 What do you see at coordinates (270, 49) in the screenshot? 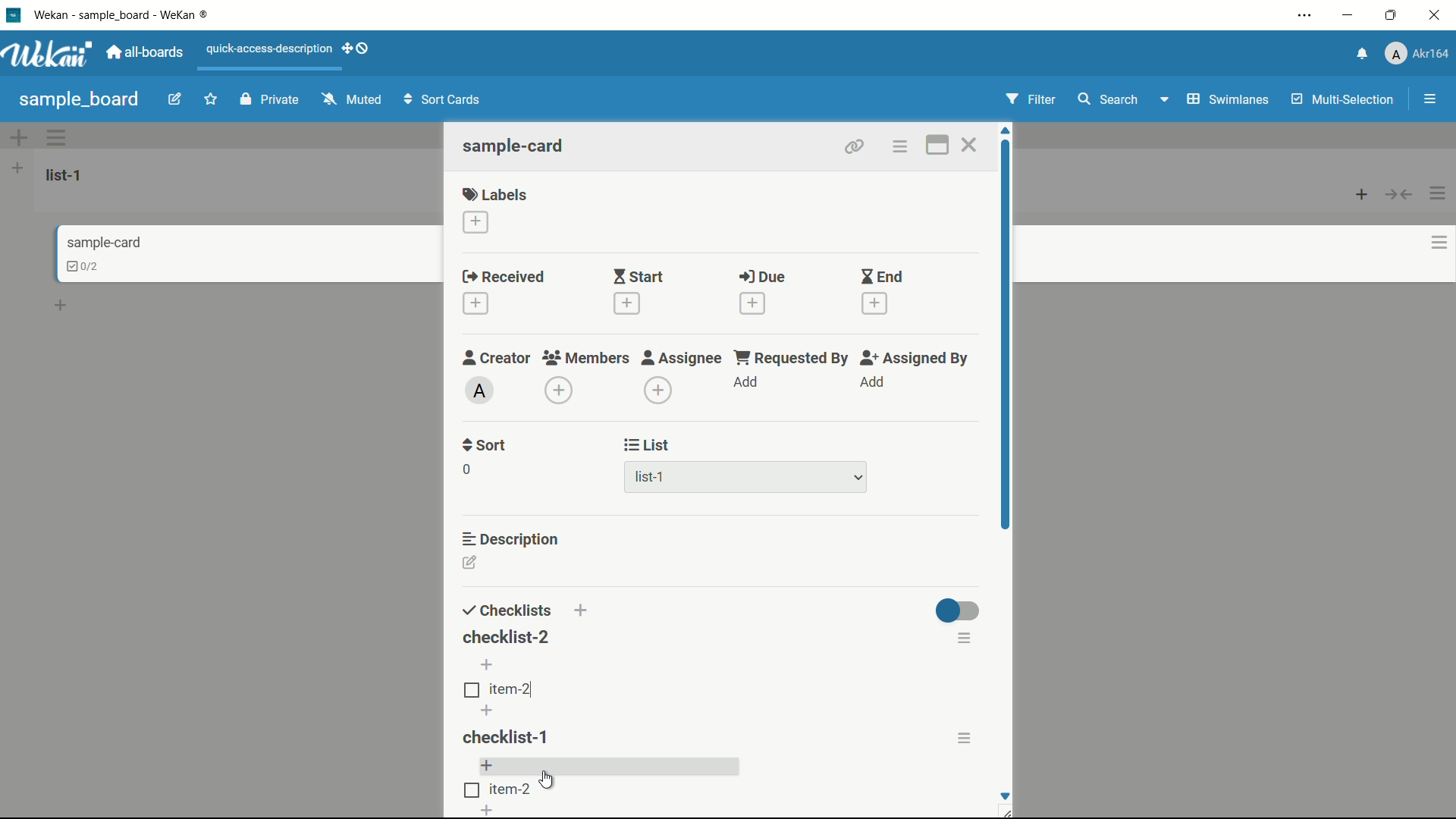
I see `quick-access-description` at bounding box center [270, 49].